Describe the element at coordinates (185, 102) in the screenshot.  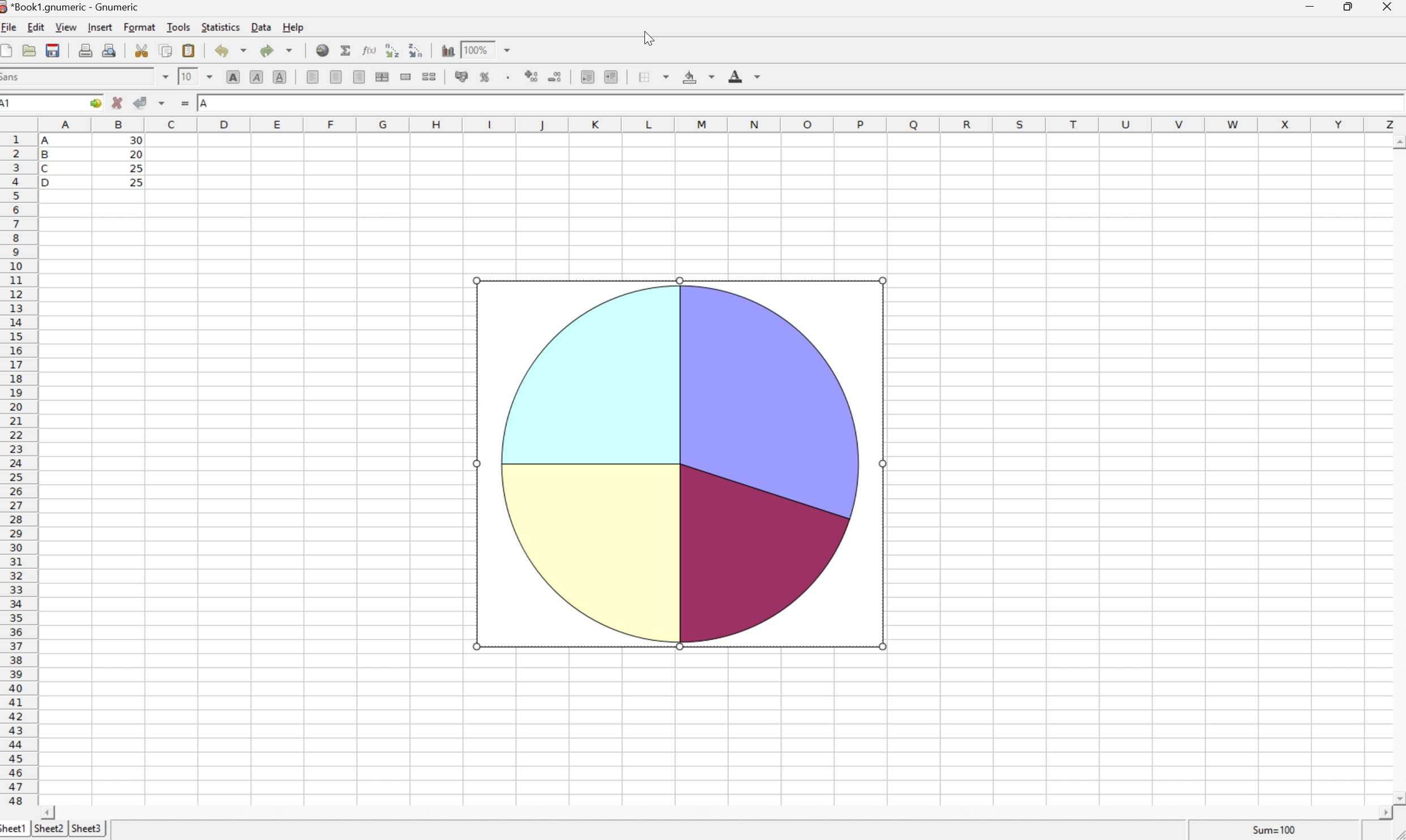
I see `Enter formula` at that location.